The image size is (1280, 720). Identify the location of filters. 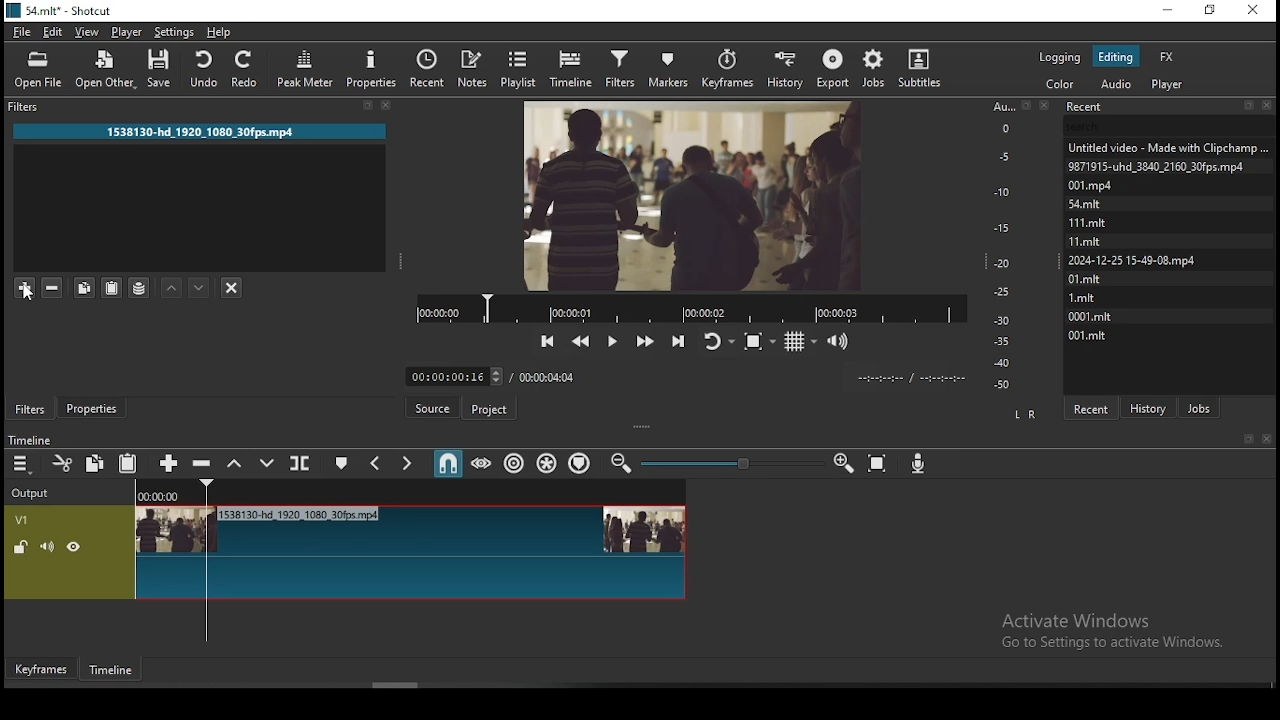
(31, 409).